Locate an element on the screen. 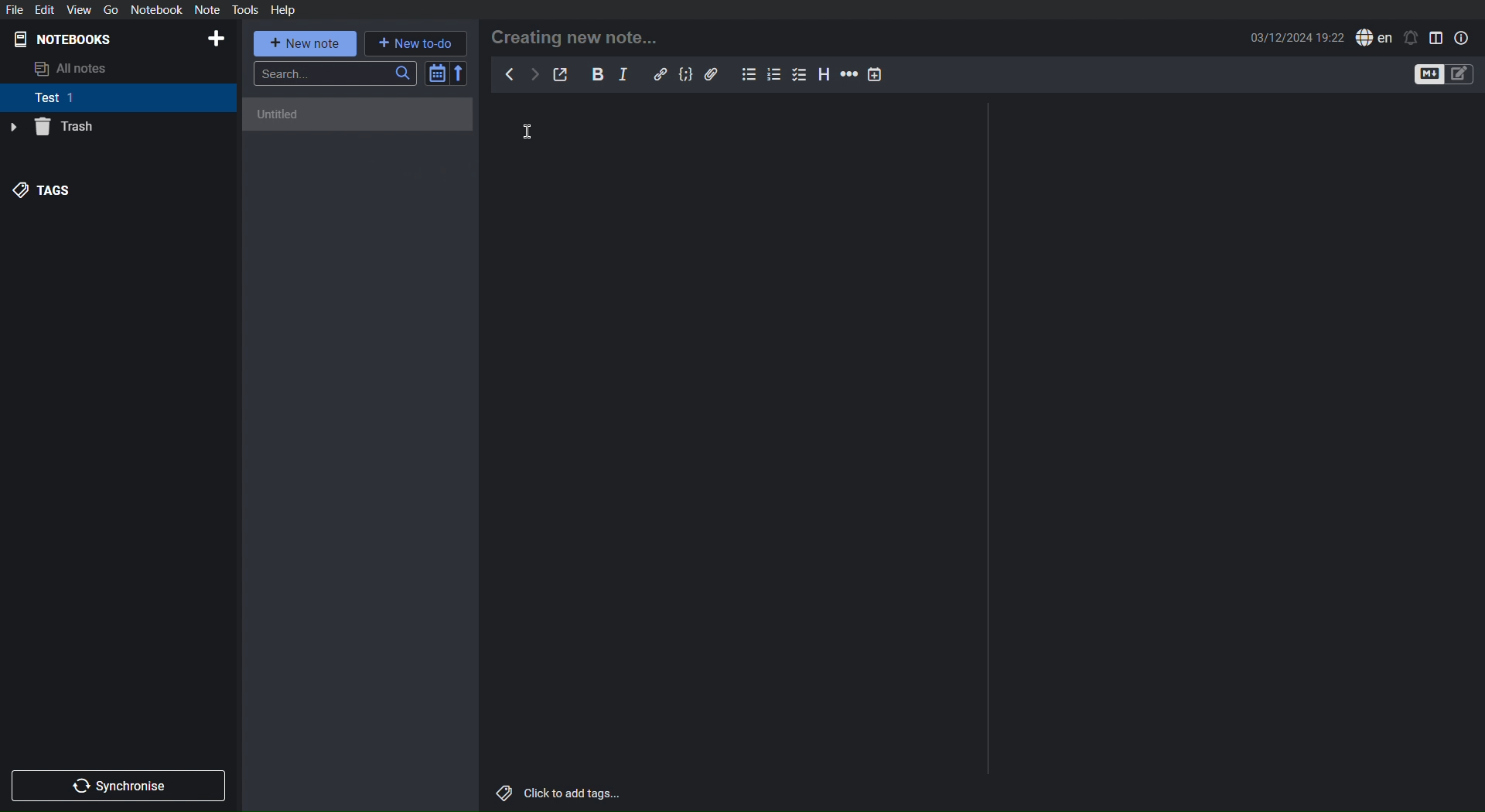  Click to add tags is located at coordinates (558, 793).